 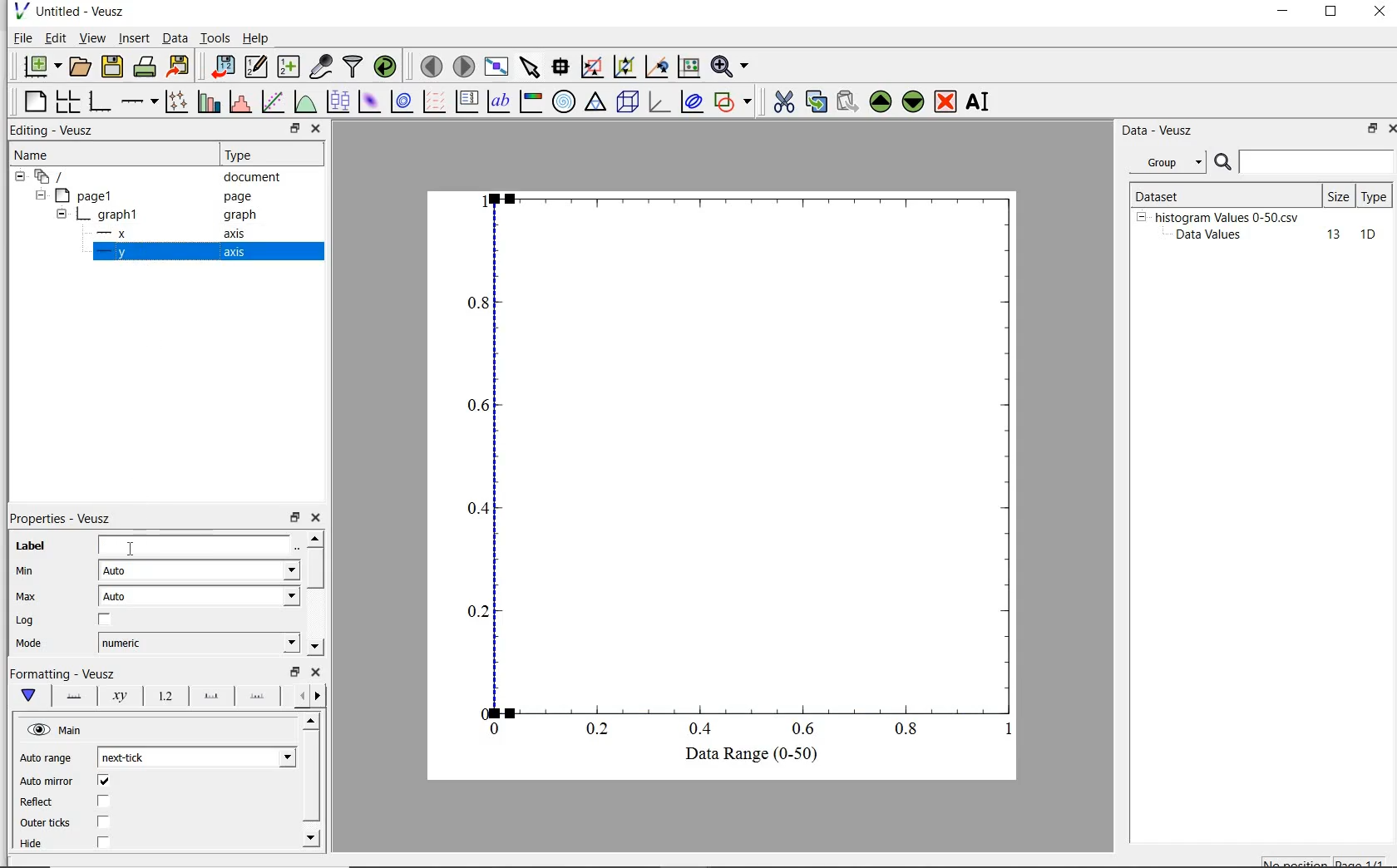 I want to click on checkbox, so click(x=103, y=843).